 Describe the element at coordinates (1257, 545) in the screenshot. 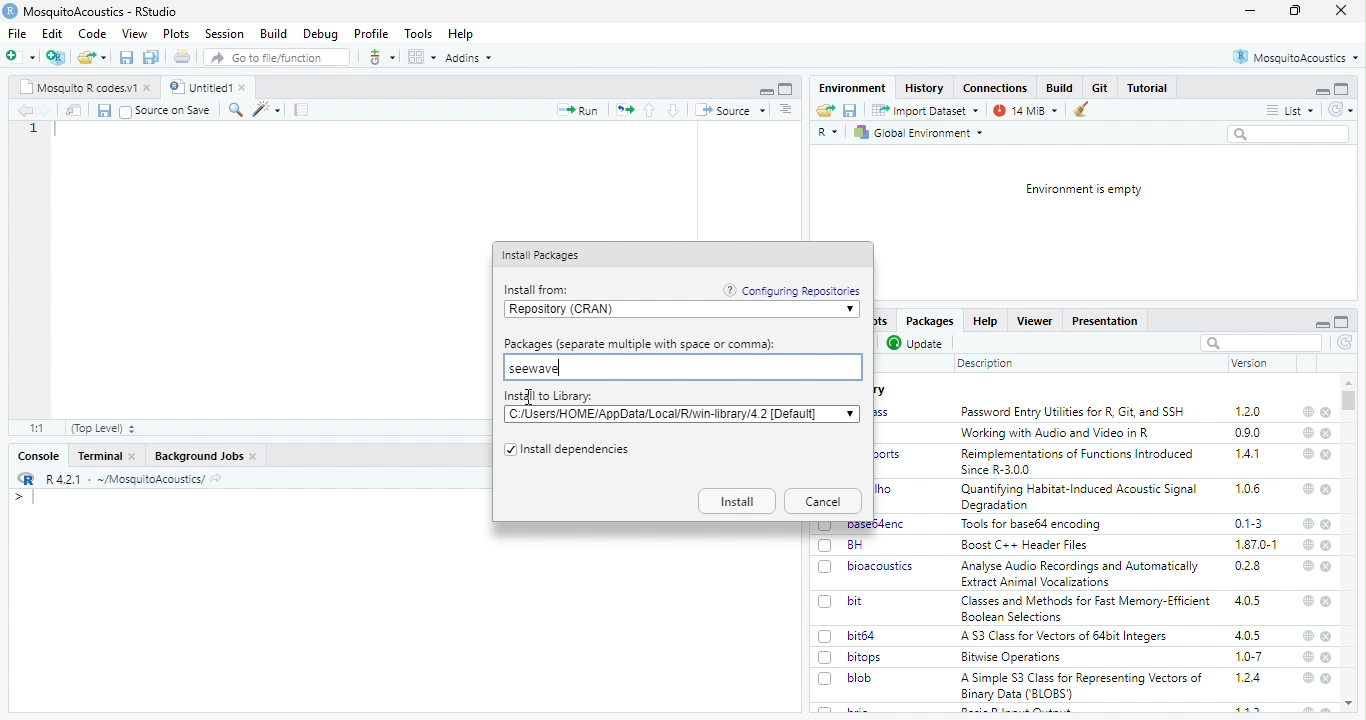

I see `1870-1` at that location.